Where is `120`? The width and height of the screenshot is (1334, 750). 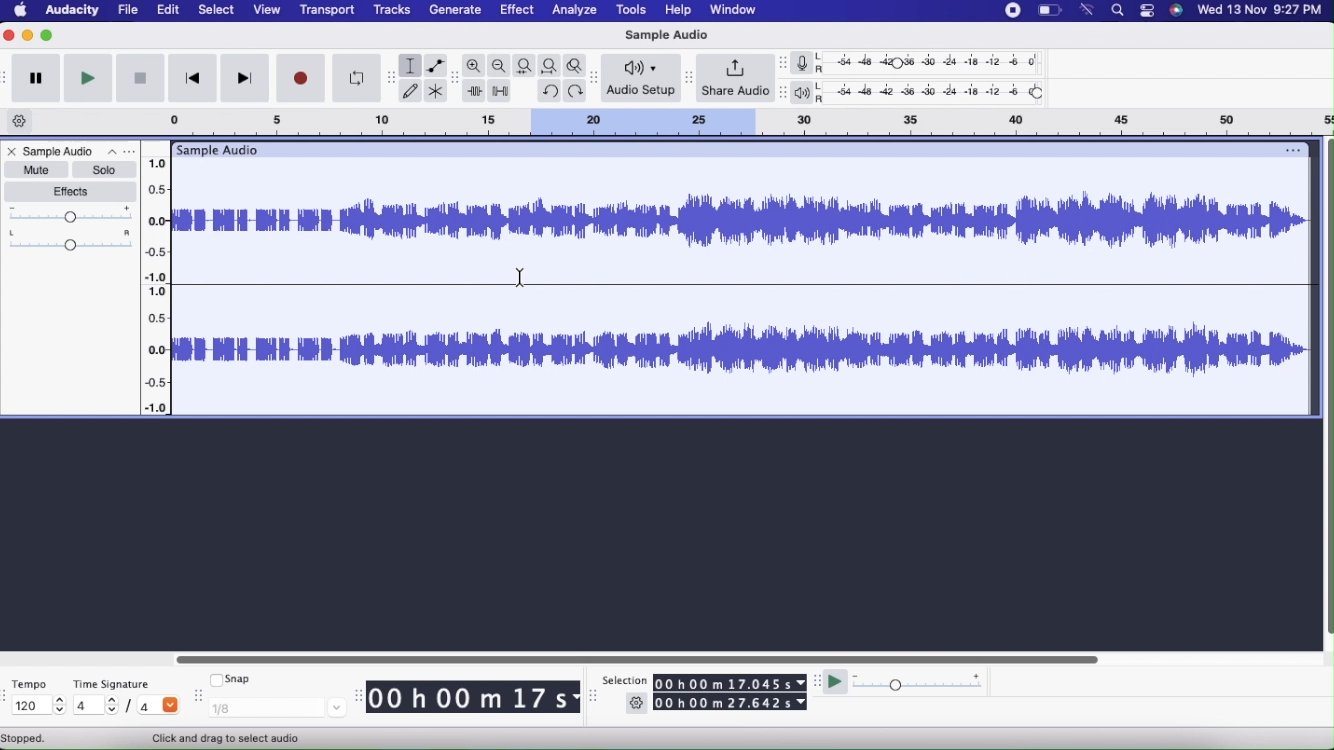
120 is located at coordinates (36, 706).